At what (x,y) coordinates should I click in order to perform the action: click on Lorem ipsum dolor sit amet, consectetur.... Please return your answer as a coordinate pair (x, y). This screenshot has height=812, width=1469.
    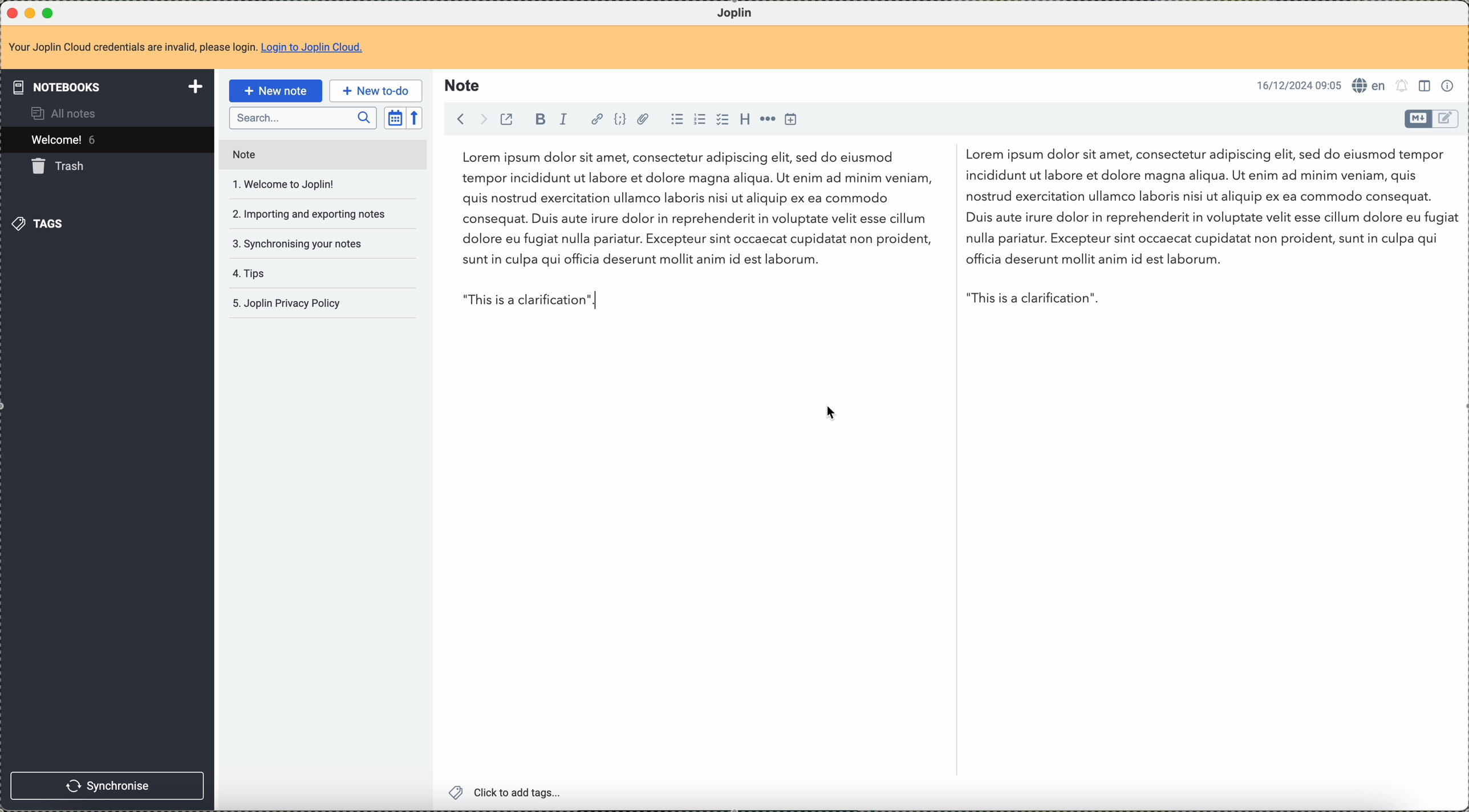
    Looking at the image, I should click on (1206, 209).